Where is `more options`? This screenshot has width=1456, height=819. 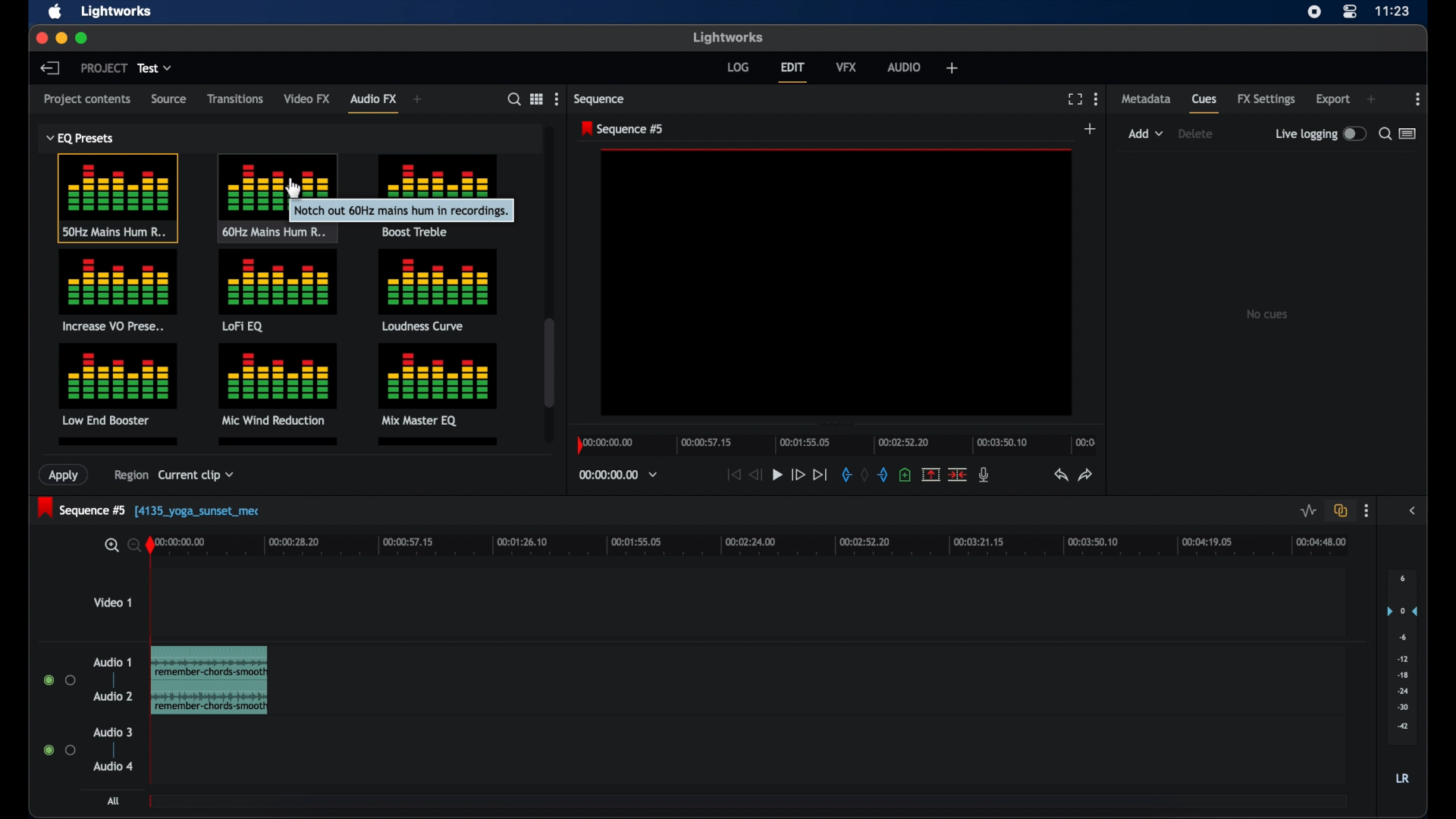
more options is located at coordinates (1096, 99).